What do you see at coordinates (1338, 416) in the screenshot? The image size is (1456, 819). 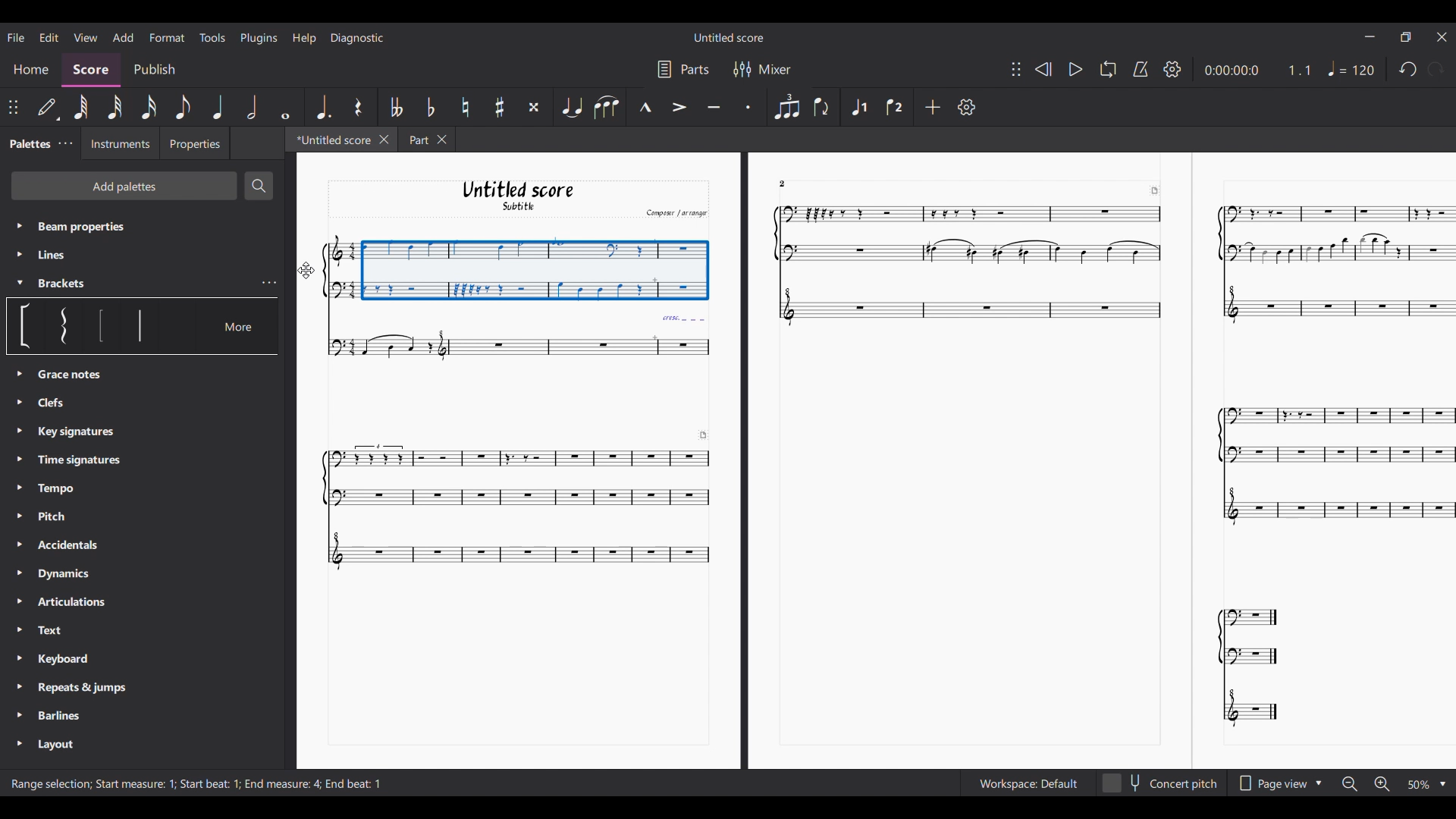 I see `` at bounding box center [1338, 416].